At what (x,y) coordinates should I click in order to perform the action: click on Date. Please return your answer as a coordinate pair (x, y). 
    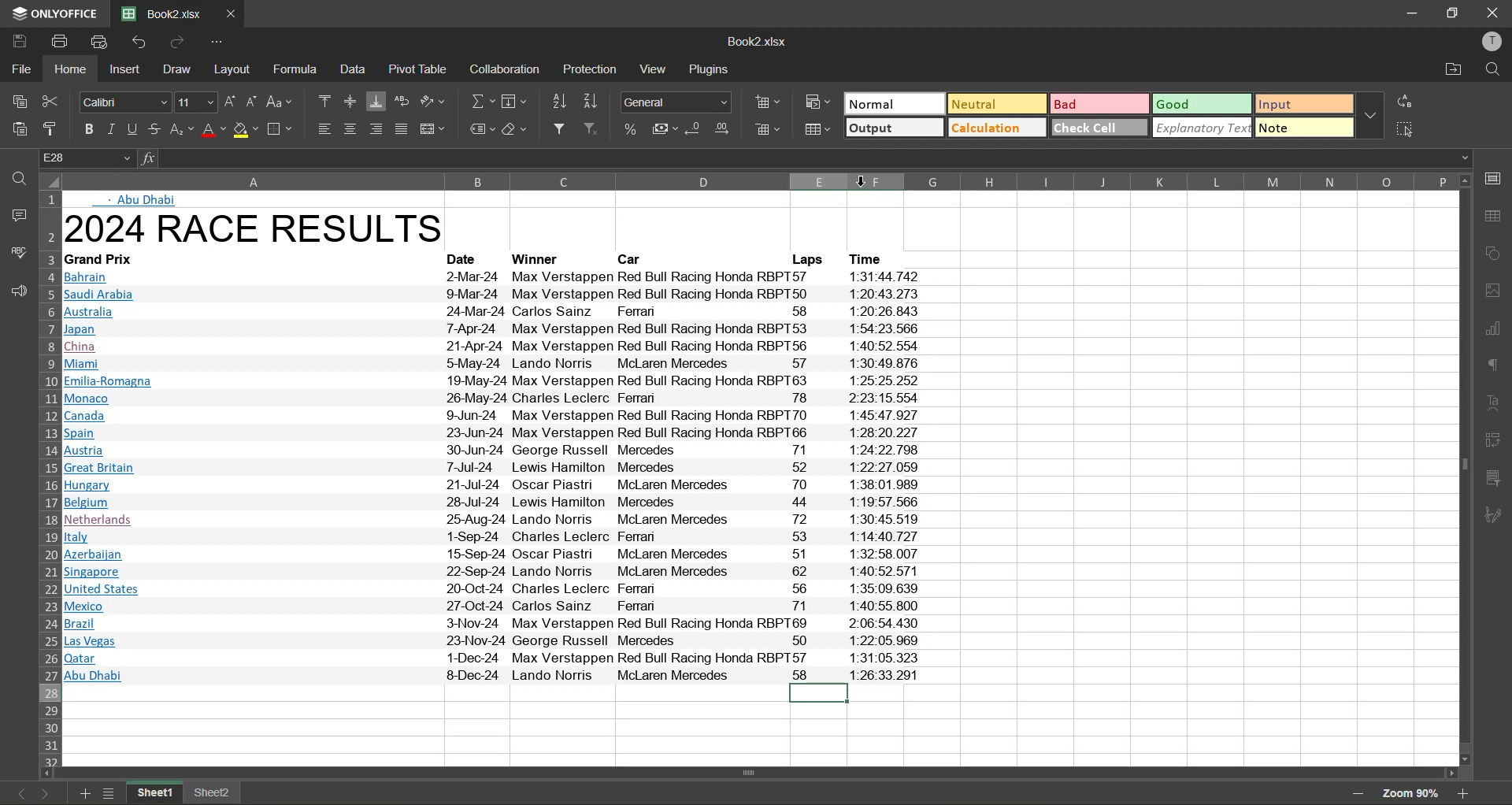
    Looking at the image, I should click on (469, 259).